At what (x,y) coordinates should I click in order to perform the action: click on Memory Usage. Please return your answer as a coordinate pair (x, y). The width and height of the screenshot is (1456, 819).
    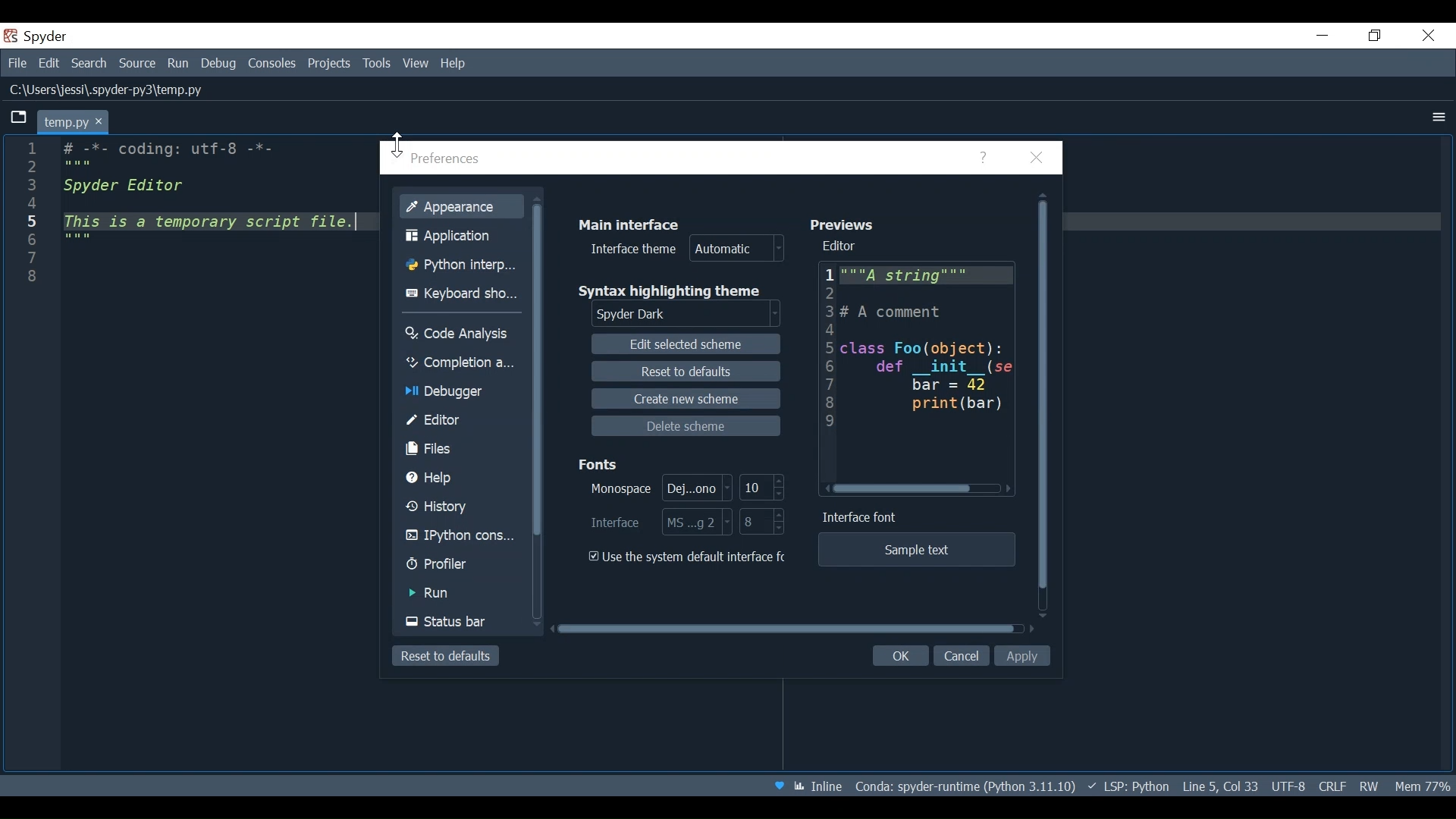
    Looking at the image, I should click on (1422, 786).